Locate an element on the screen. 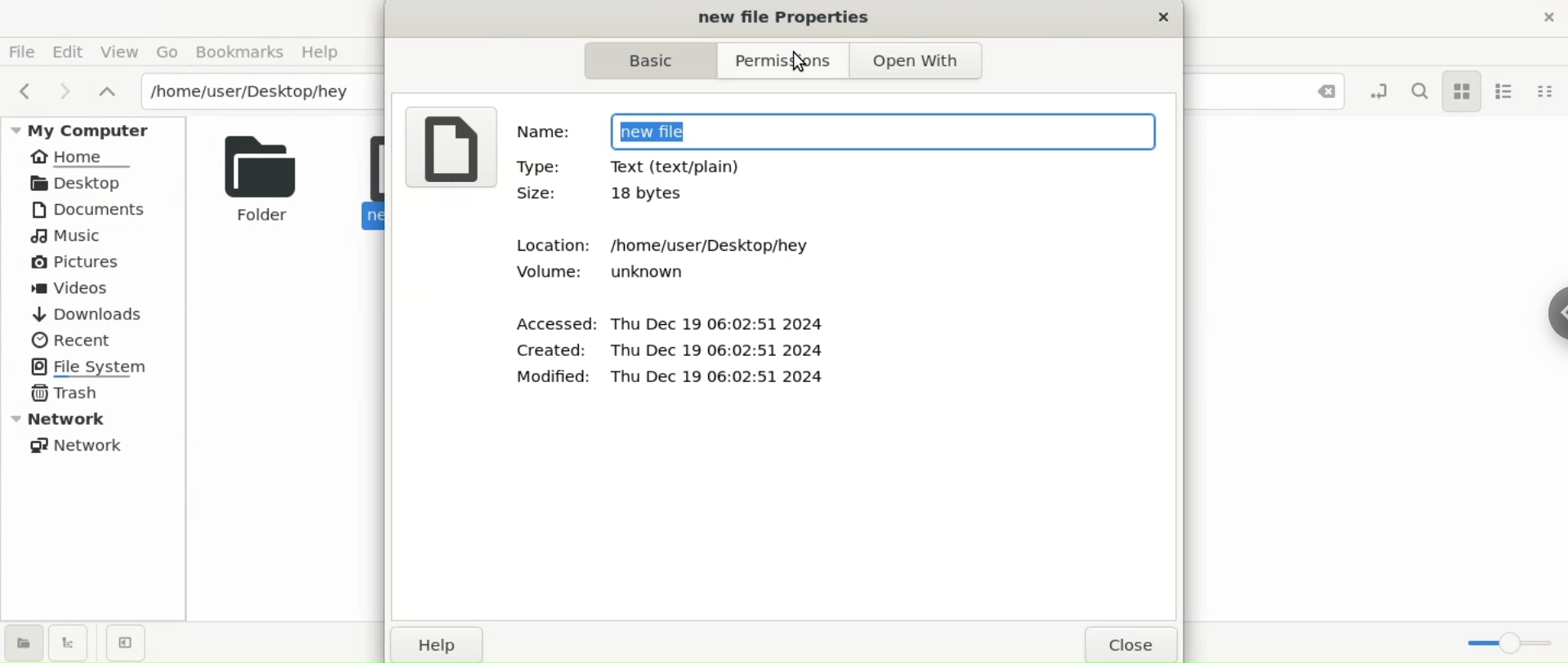 This screenshot has height=663, width=1568. Help is located at coordinates (327, 52).